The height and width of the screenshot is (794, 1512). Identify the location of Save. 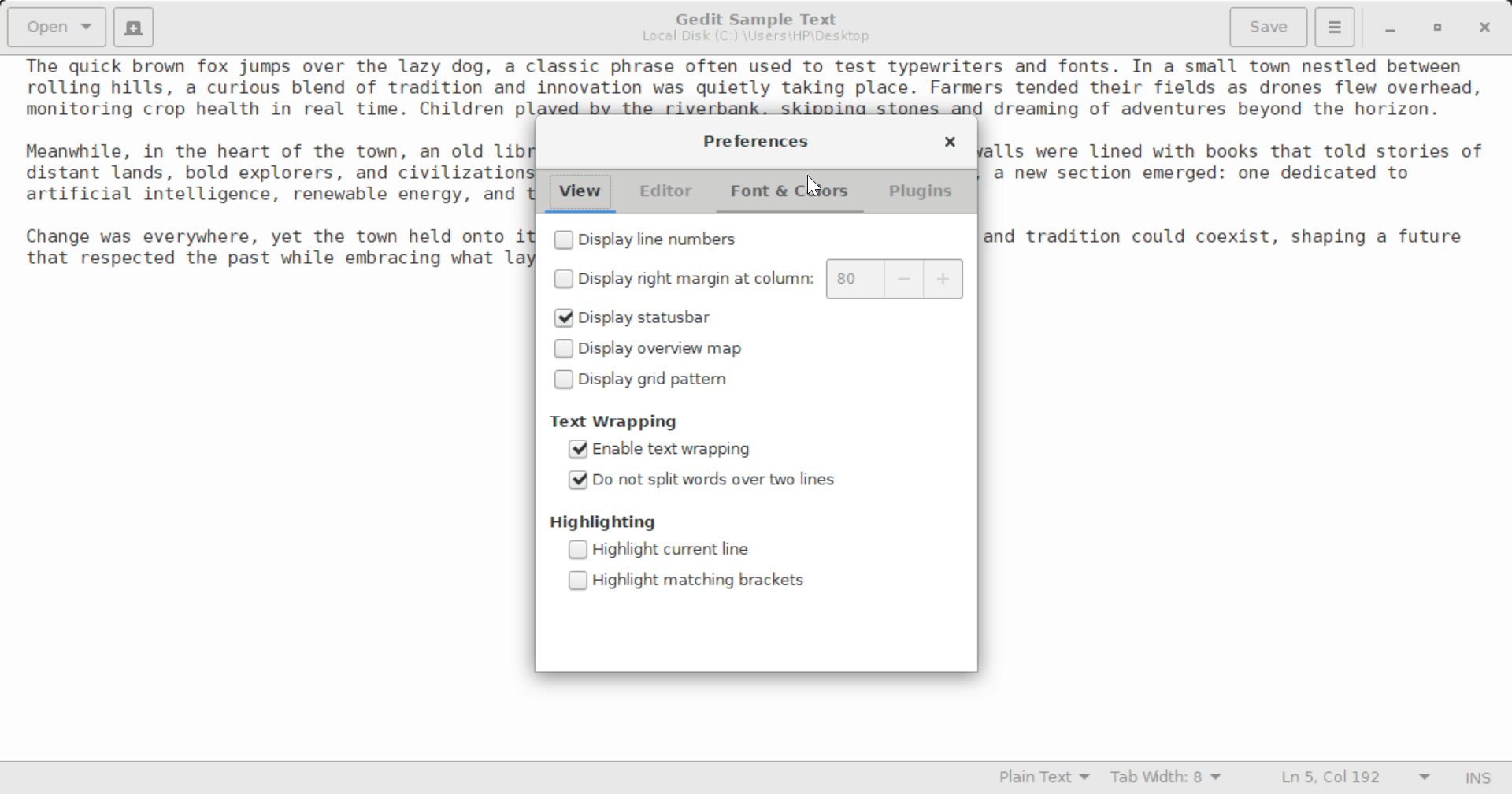
(1269, 25).